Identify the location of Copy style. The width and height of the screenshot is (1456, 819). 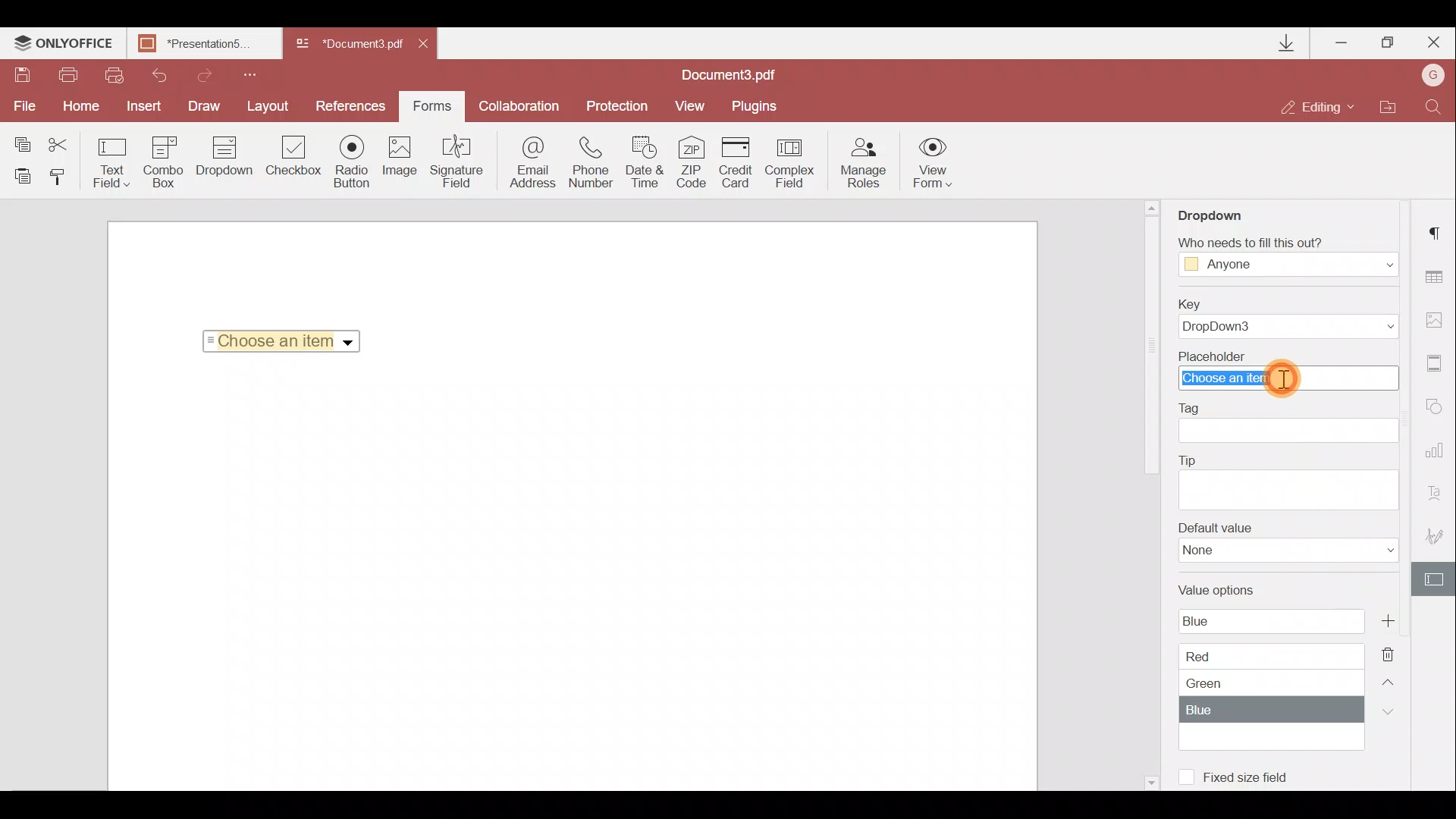
(63, 180).